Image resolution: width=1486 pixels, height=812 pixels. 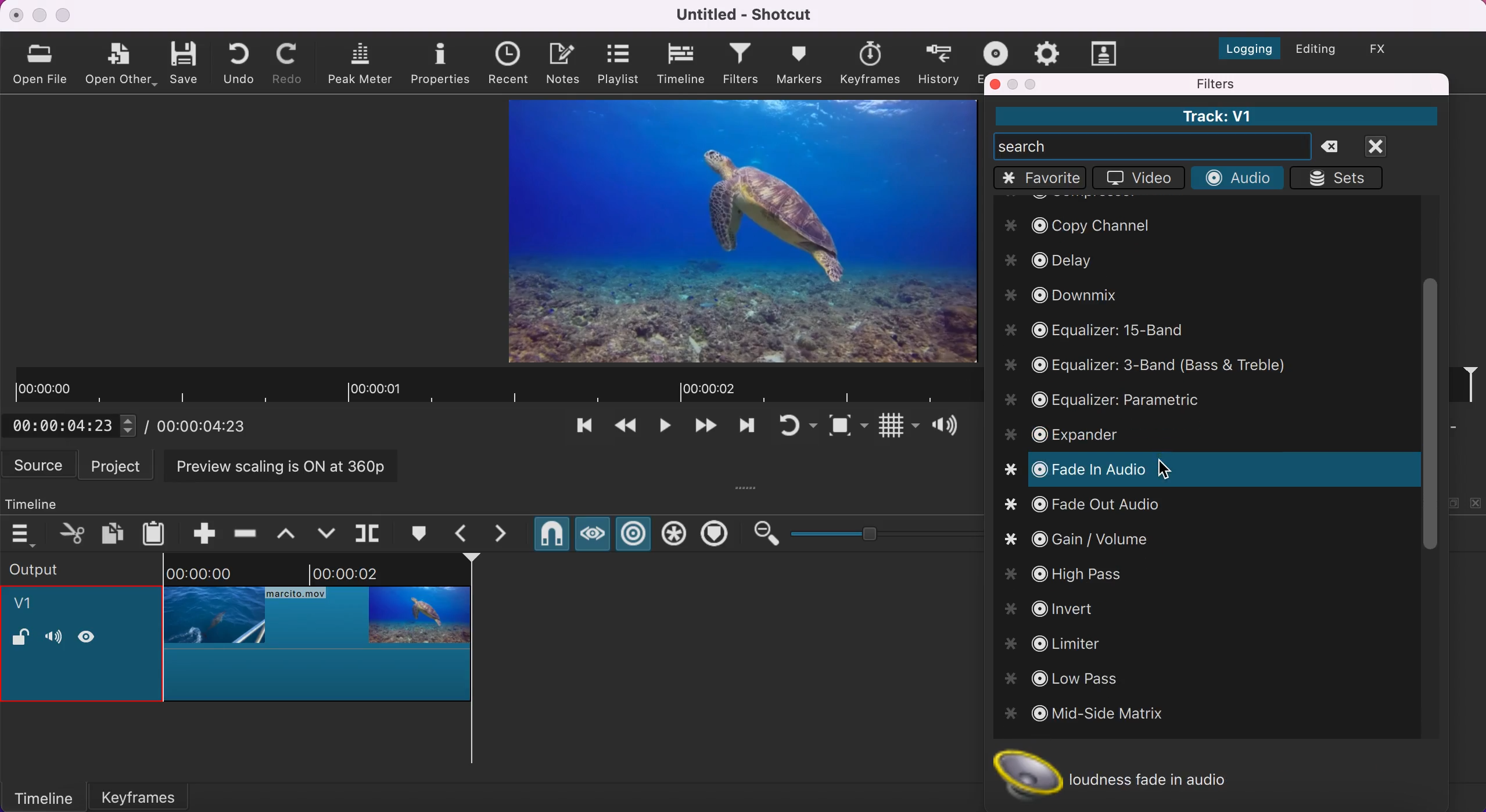 What do you see at coordinates (290, 63) in the screenshot?
I see `redo` at bounding box center [290, 63].